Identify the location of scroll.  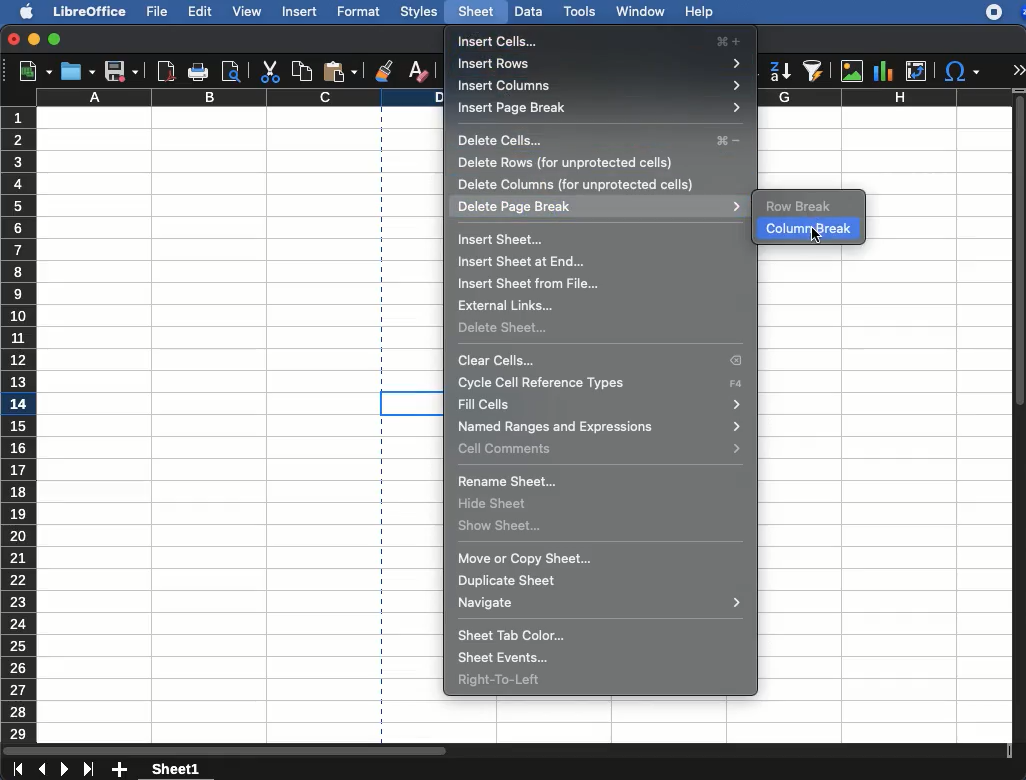
(1020, 418).